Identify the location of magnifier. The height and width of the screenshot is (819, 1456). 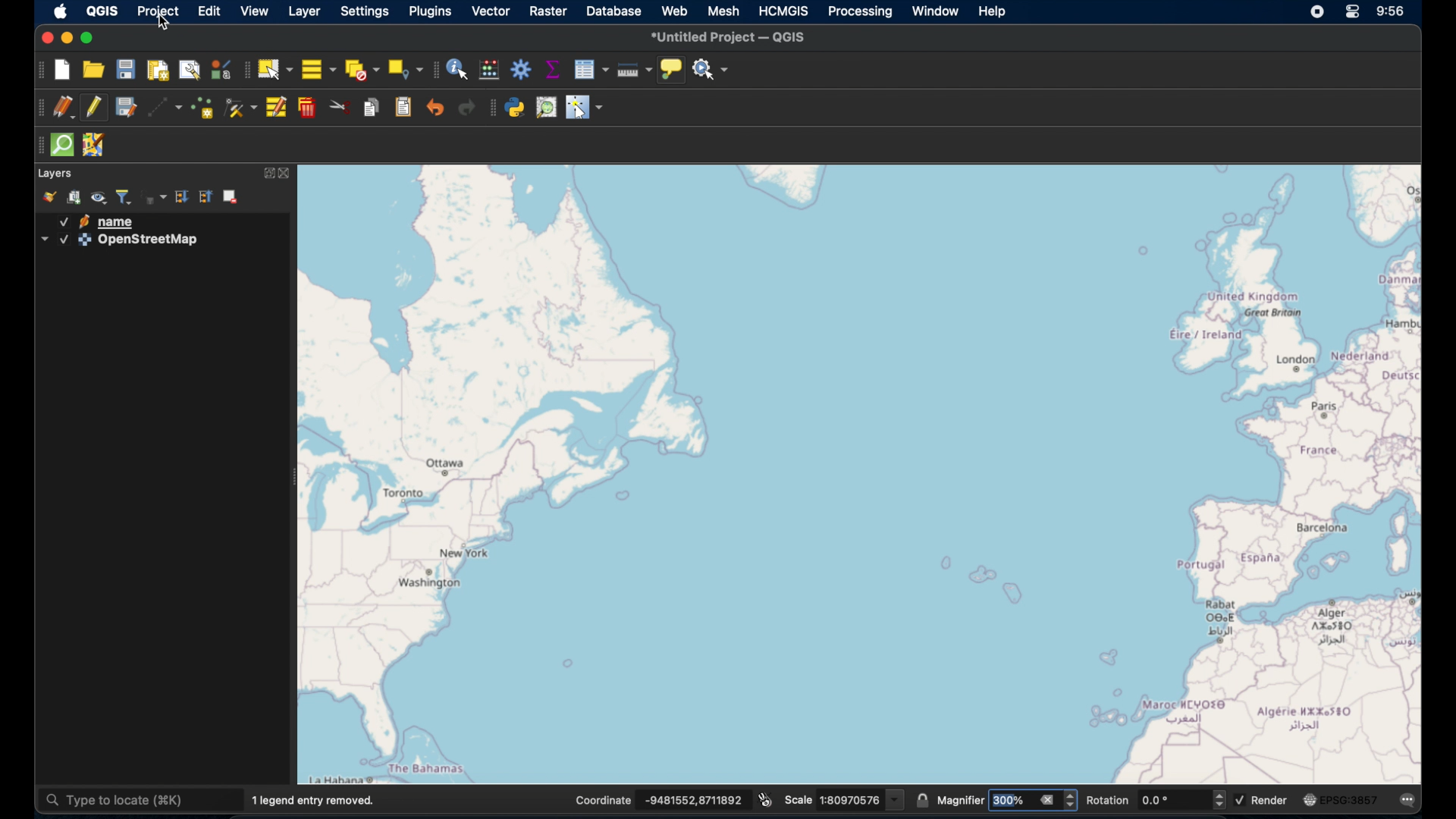
(1008, 799).